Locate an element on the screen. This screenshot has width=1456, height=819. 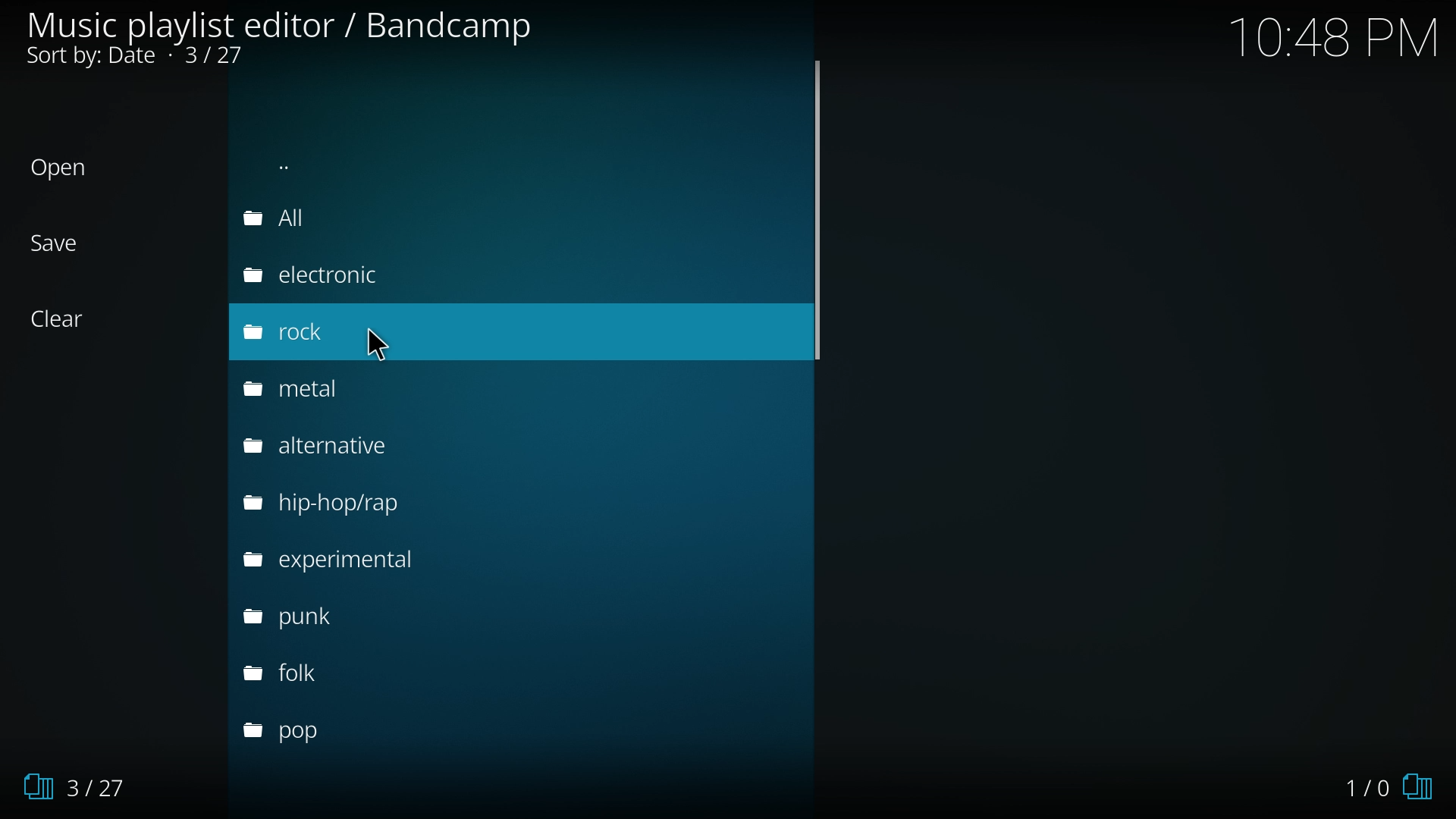
electronic is located at coordinates (328, 275).